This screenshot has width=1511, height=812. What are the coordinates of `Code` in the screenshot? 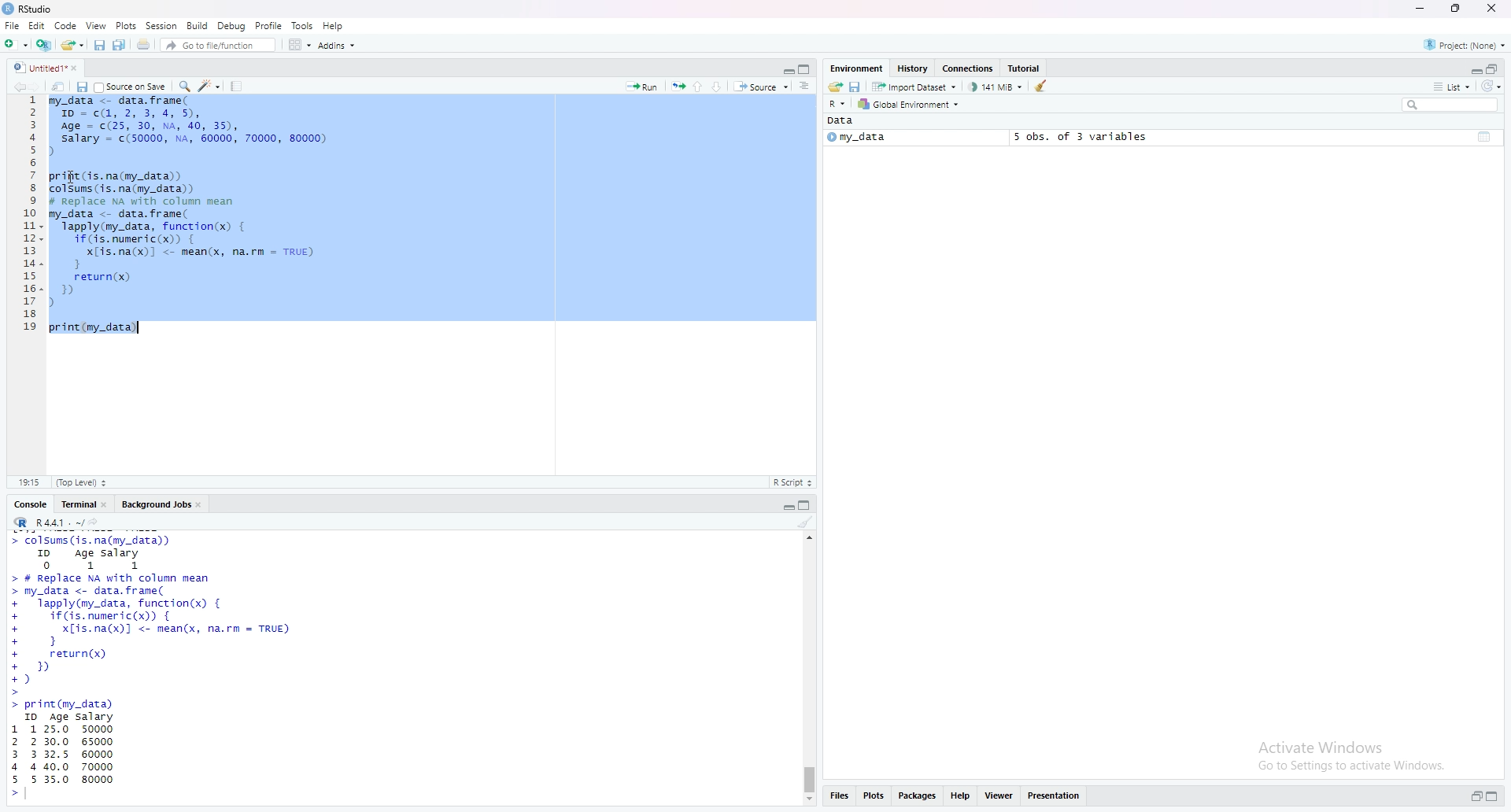 It's located at (67, 26).